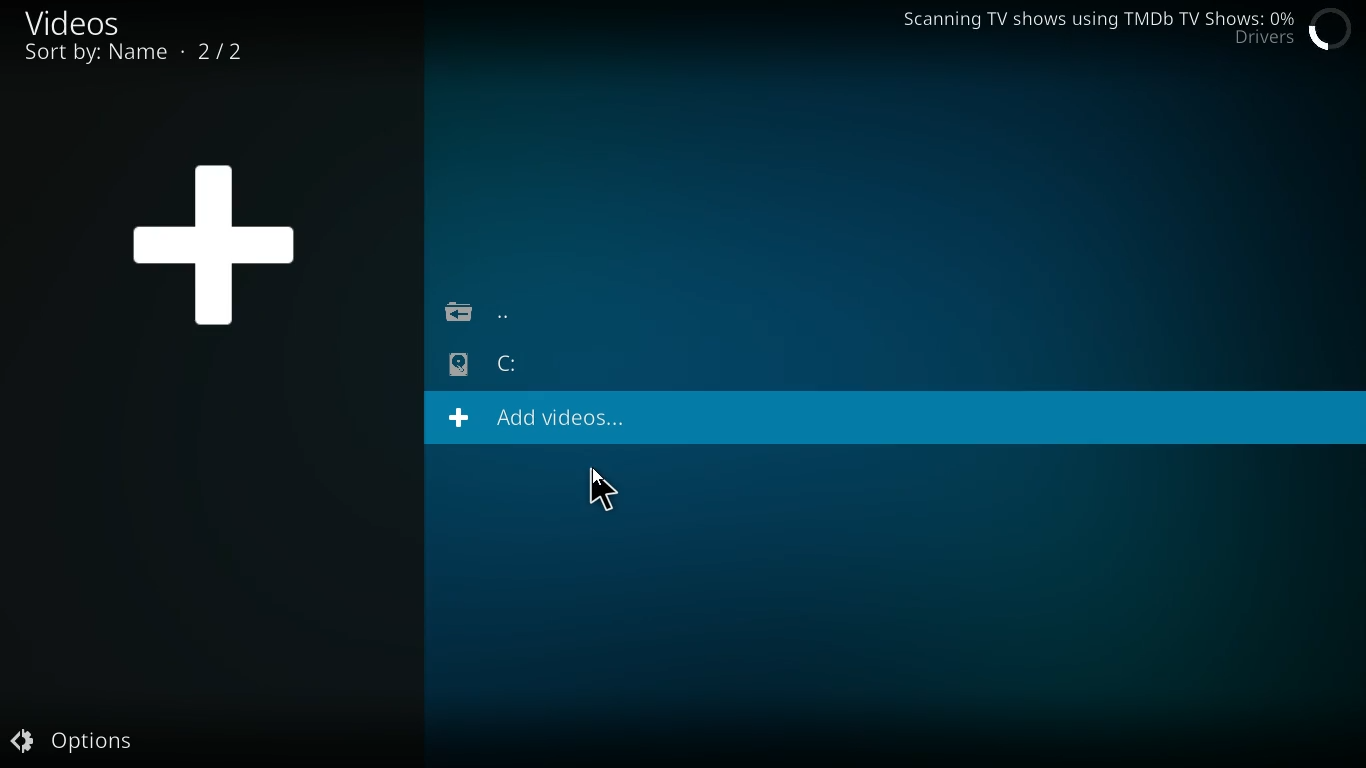 The image size is (1366, 768). Describe the element at coordinates (1335, 30) in the screenshot. I see `Loading` at that location.